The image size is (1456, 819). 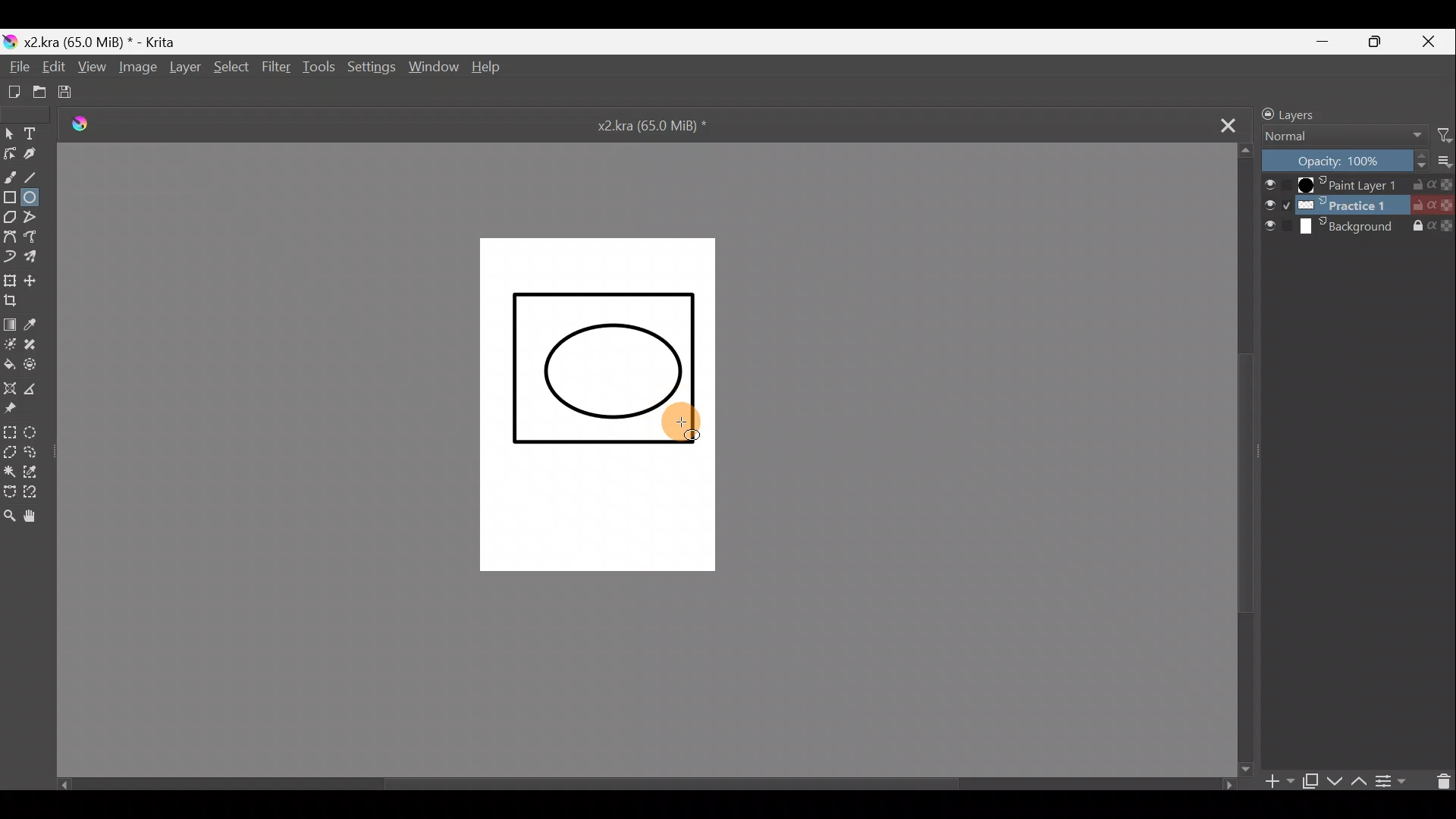 I want to click on Layer, so click(x=186, y=71).